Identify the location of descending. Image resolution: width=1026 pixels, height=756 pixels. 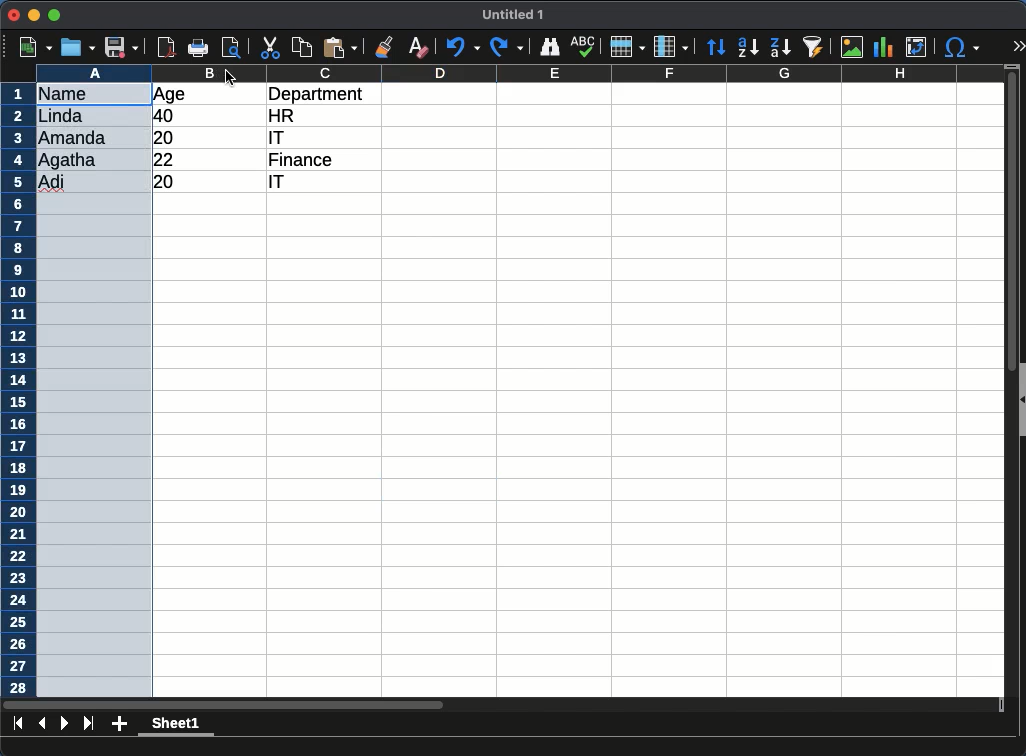
(779, 46).